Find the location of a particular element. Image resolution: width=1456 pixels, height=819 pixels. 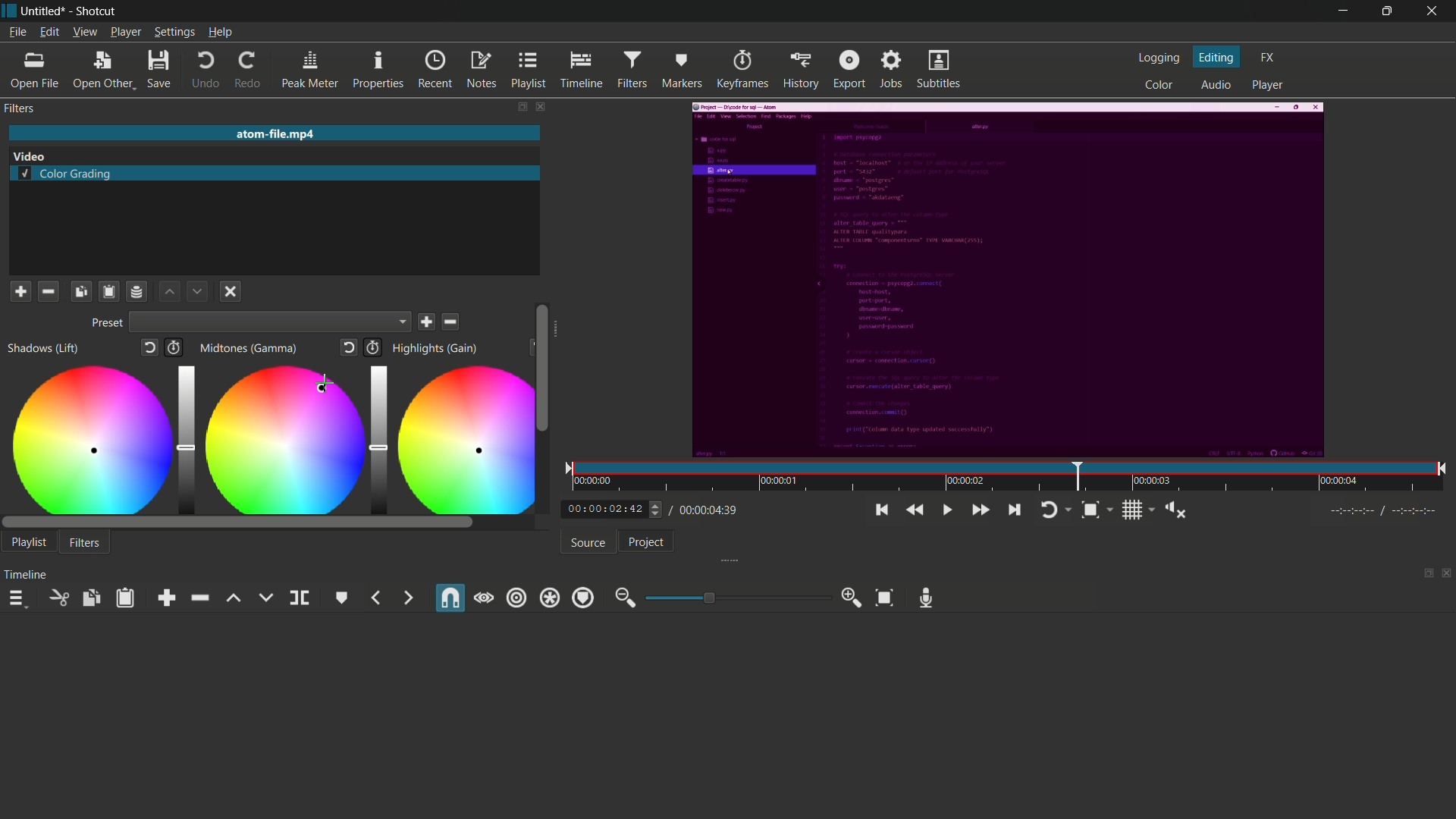

filters is located at coordinates (632, 68).